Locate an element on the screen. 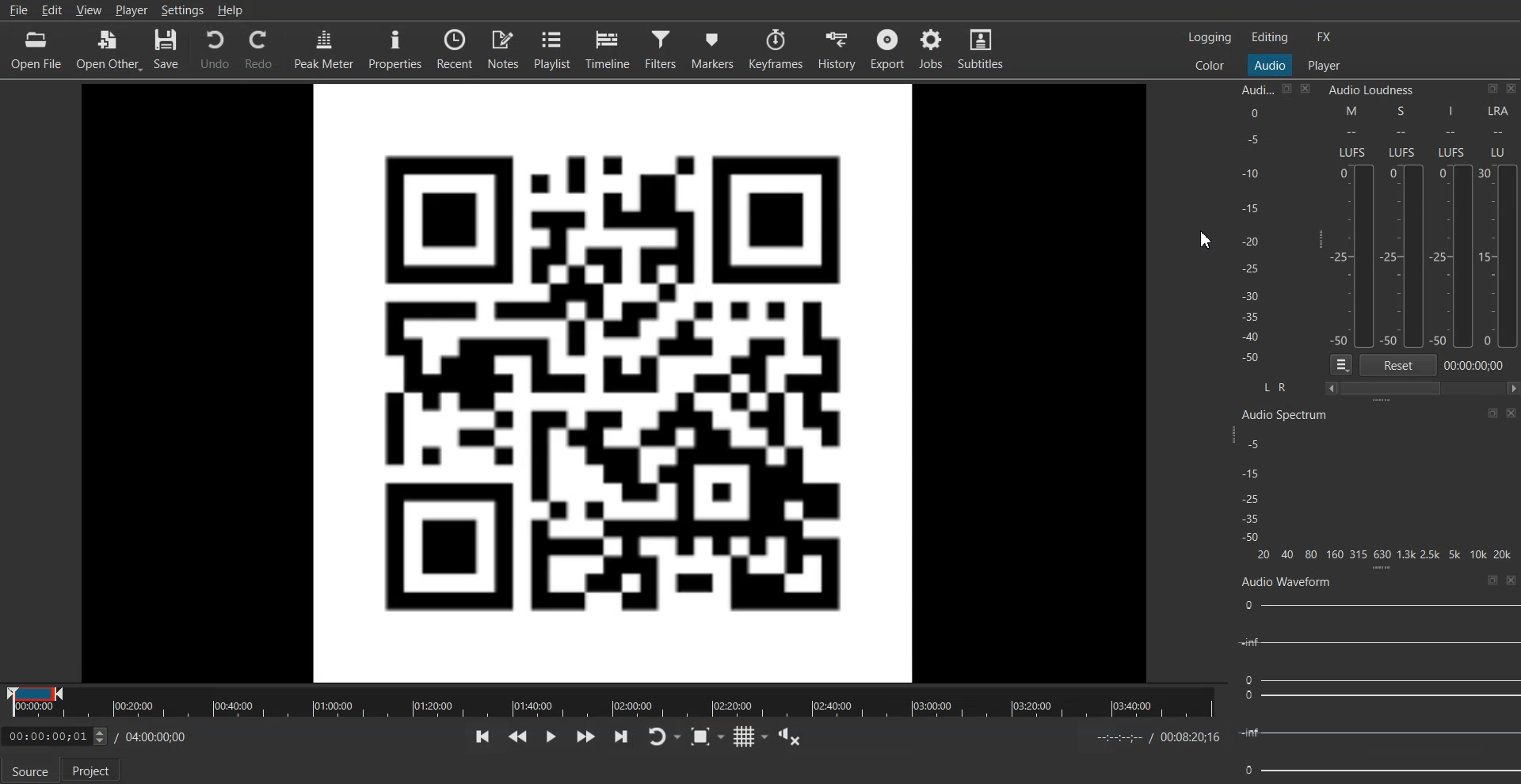 This screenshot has width=1521, height=784. Keyframes is located at coordinates (776, 50).